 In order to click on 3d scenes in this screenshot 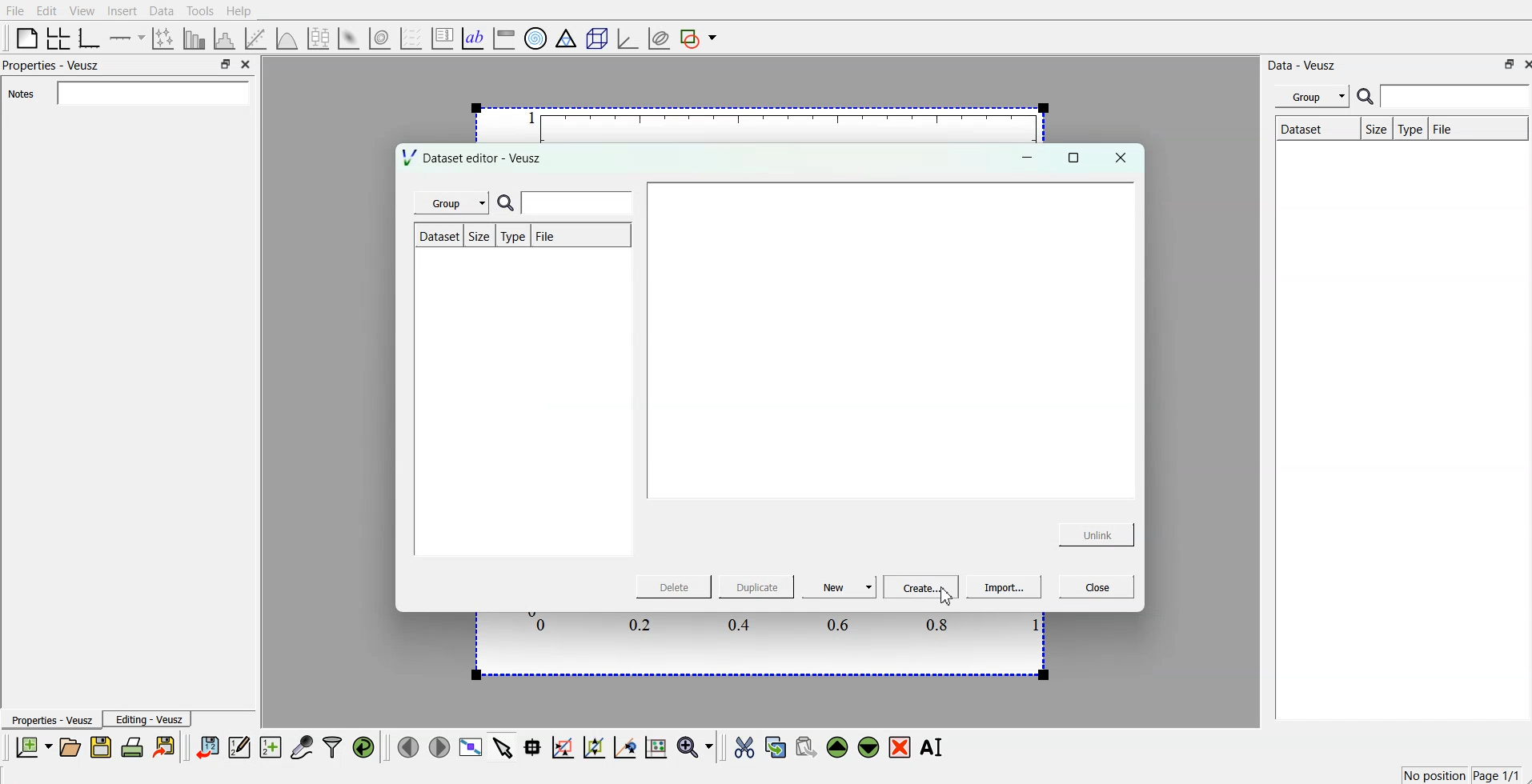, I will do `click(595, 35)`.